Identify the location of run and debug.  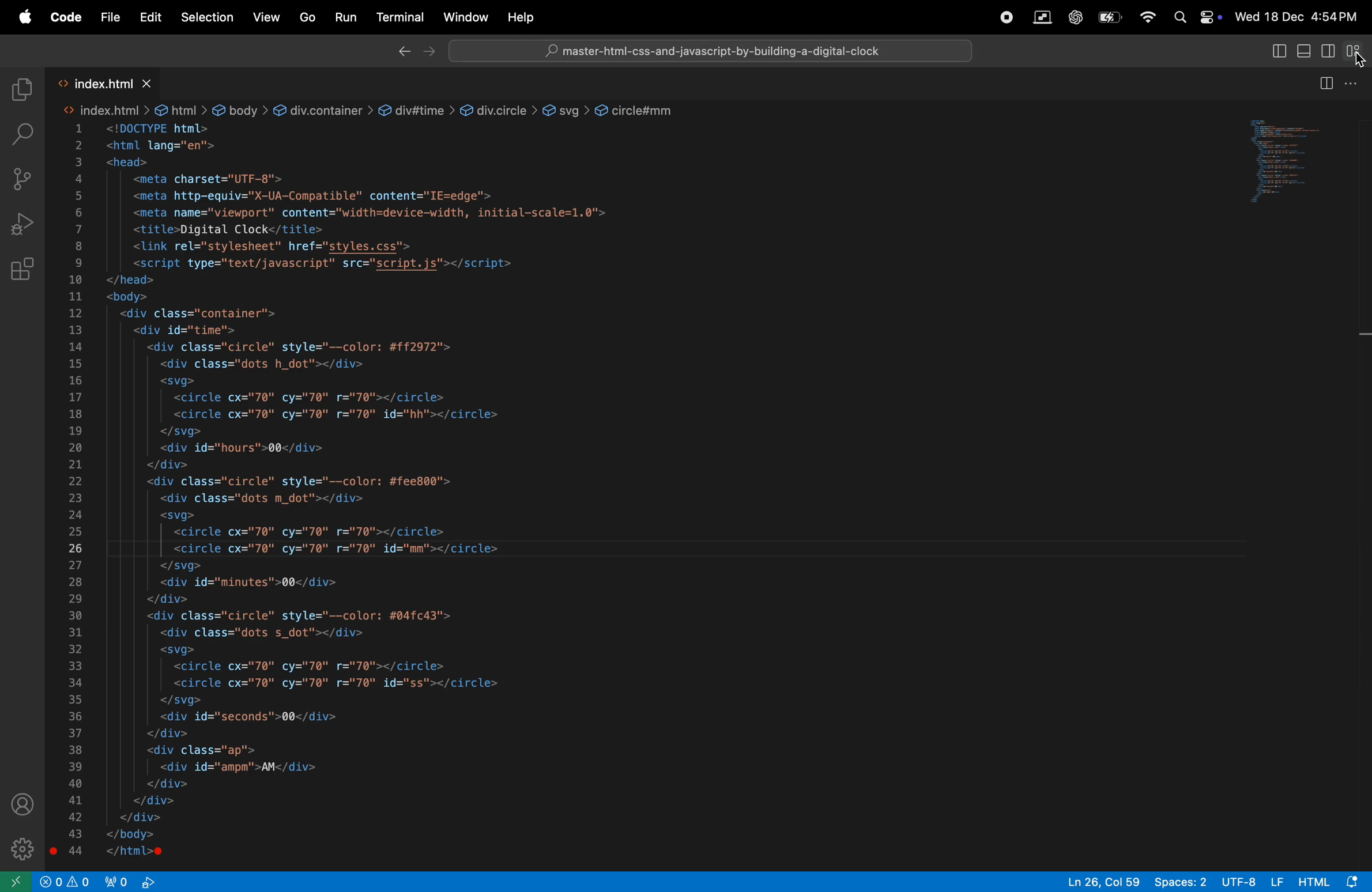
(25, 222).